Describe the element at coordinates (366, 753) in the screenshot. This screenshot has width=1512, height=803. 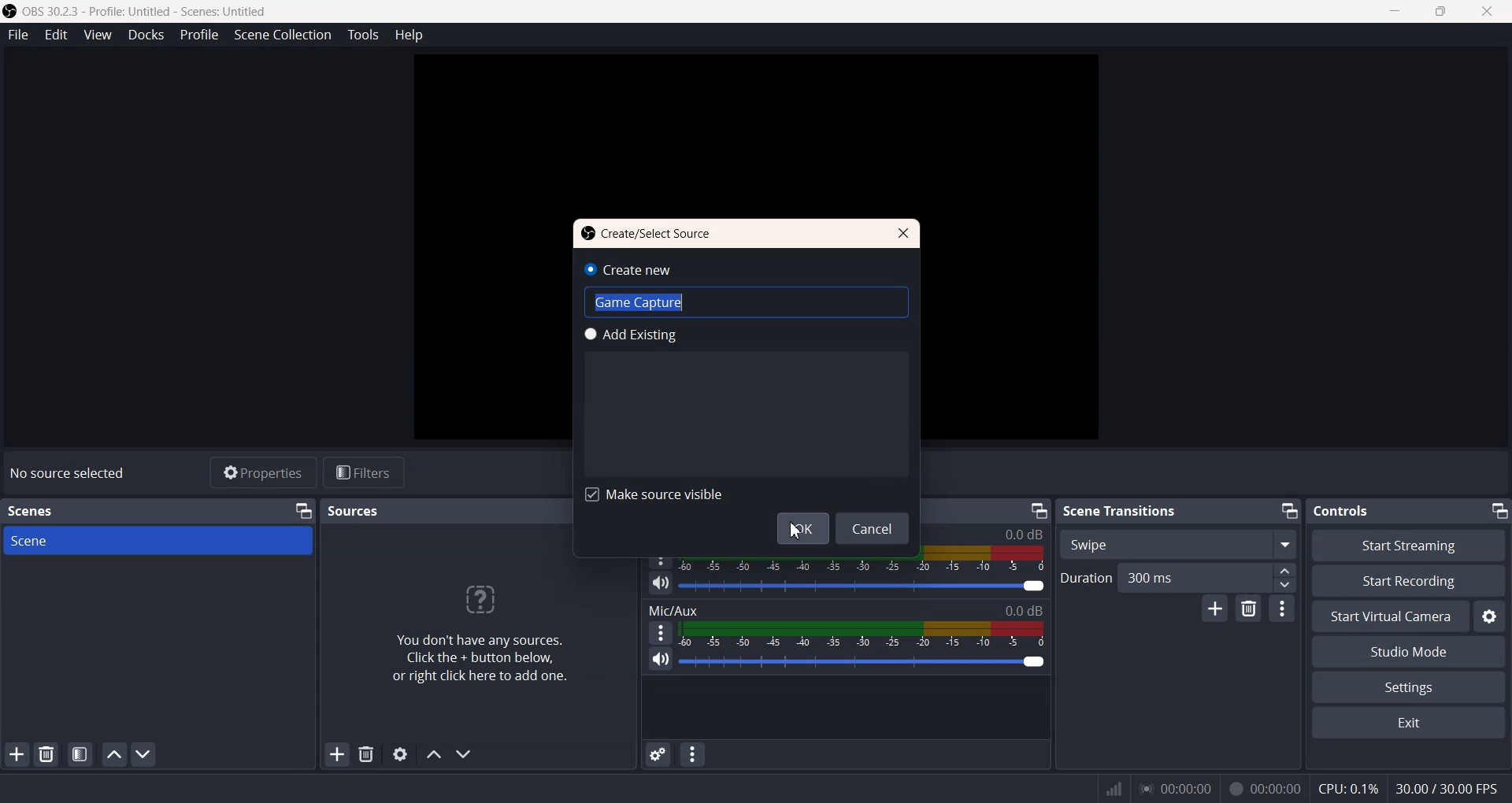
I see `Remove Sources` at that location.